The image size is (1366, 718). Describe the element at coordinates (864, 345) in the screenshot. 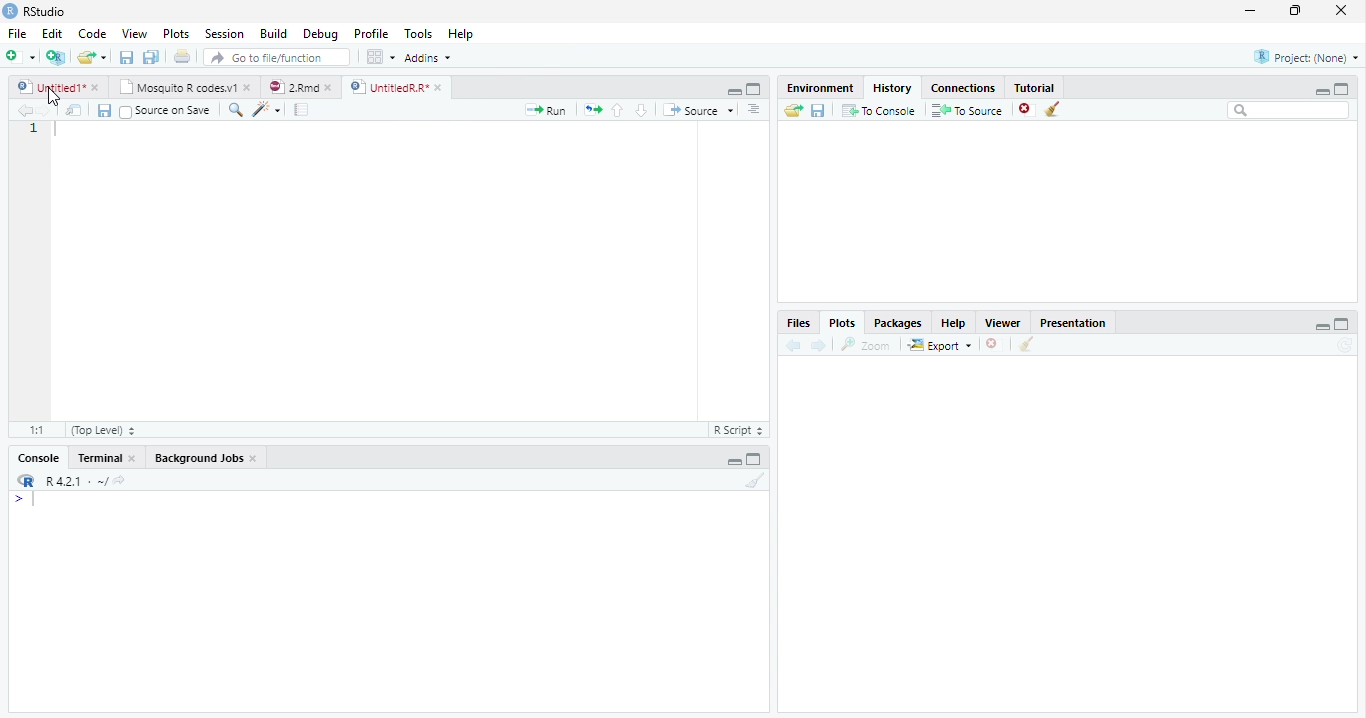

I see `Zoom` at that location.